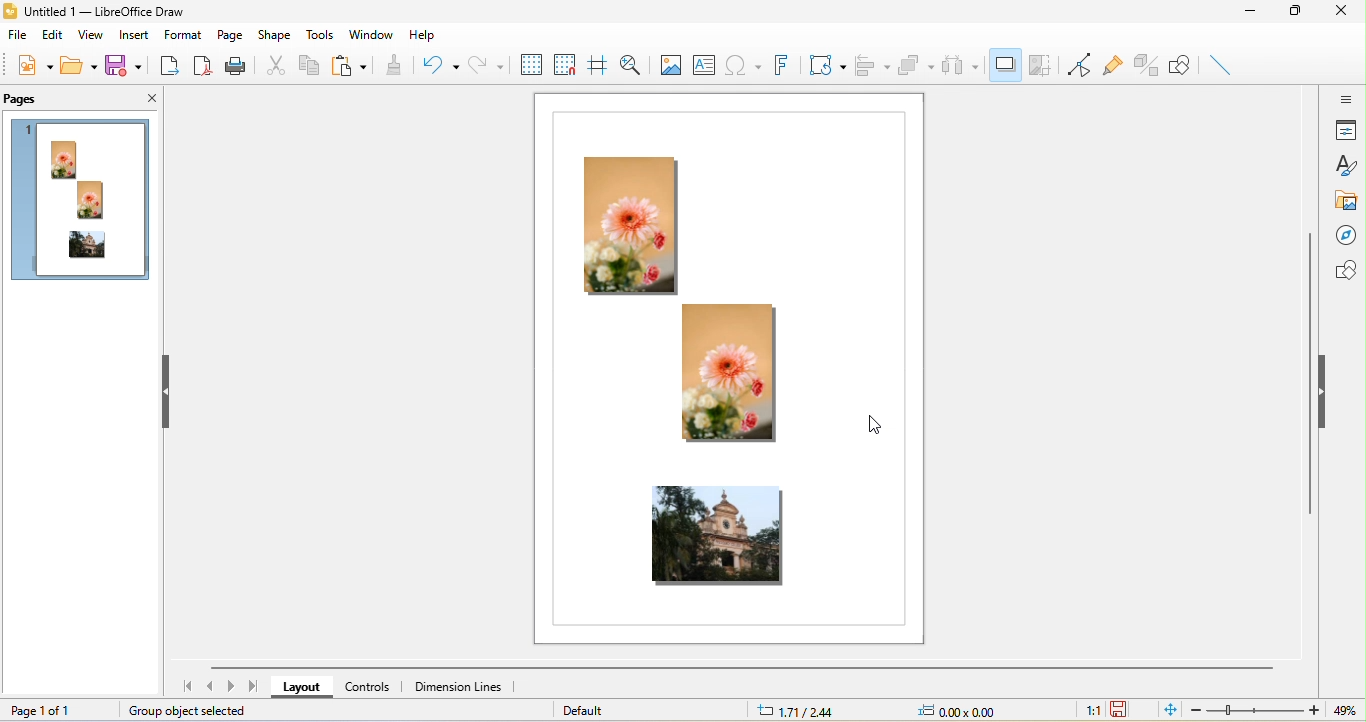 Image resolution: width=1366 pixels, height=722 pixels. Describe the element at coordinates (743, 63) in the screenshot. I see `special character` at that location.